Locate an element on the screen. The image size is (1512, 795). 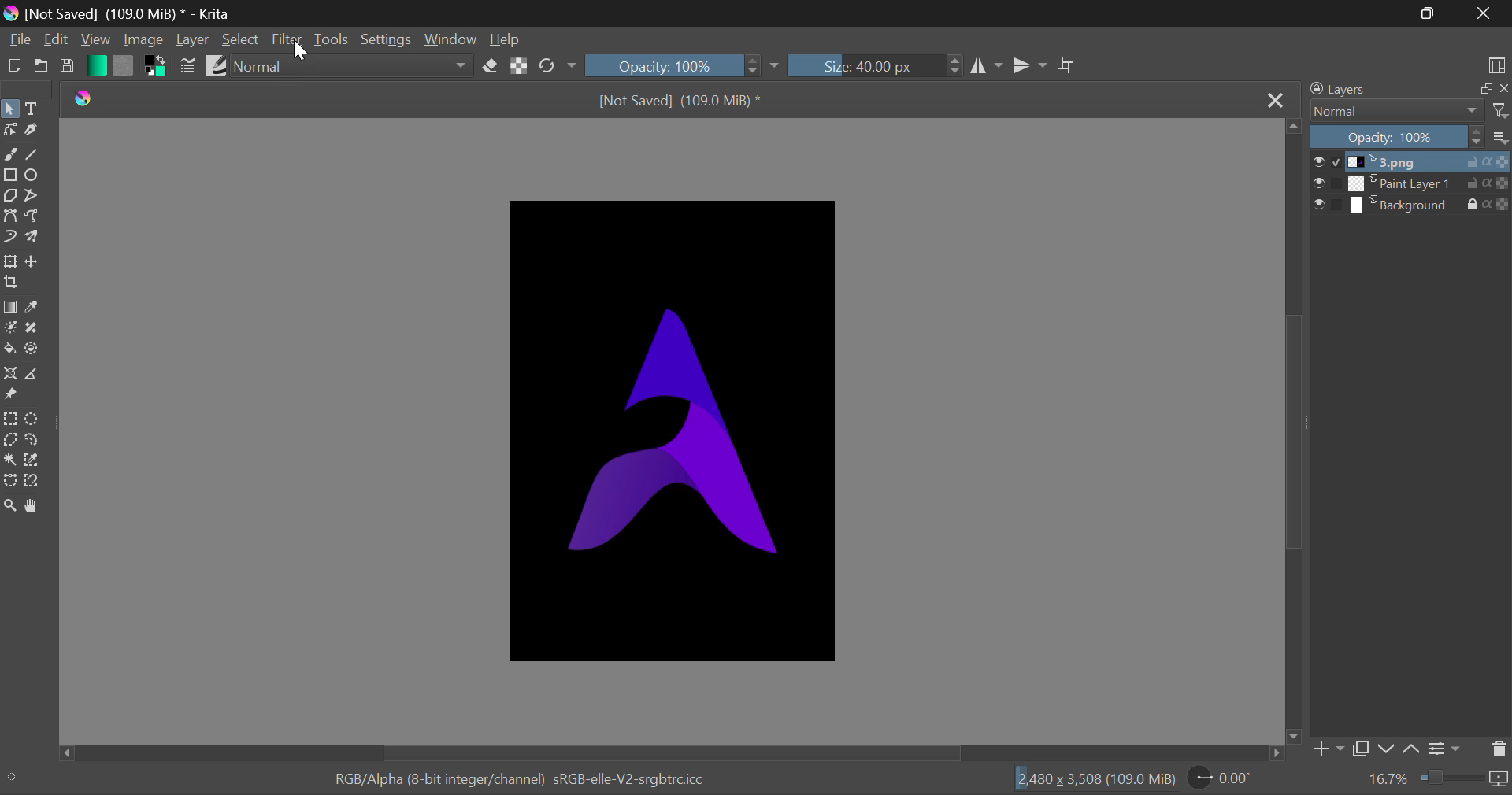
Delete Layer is located at coordinates (1498, 749).